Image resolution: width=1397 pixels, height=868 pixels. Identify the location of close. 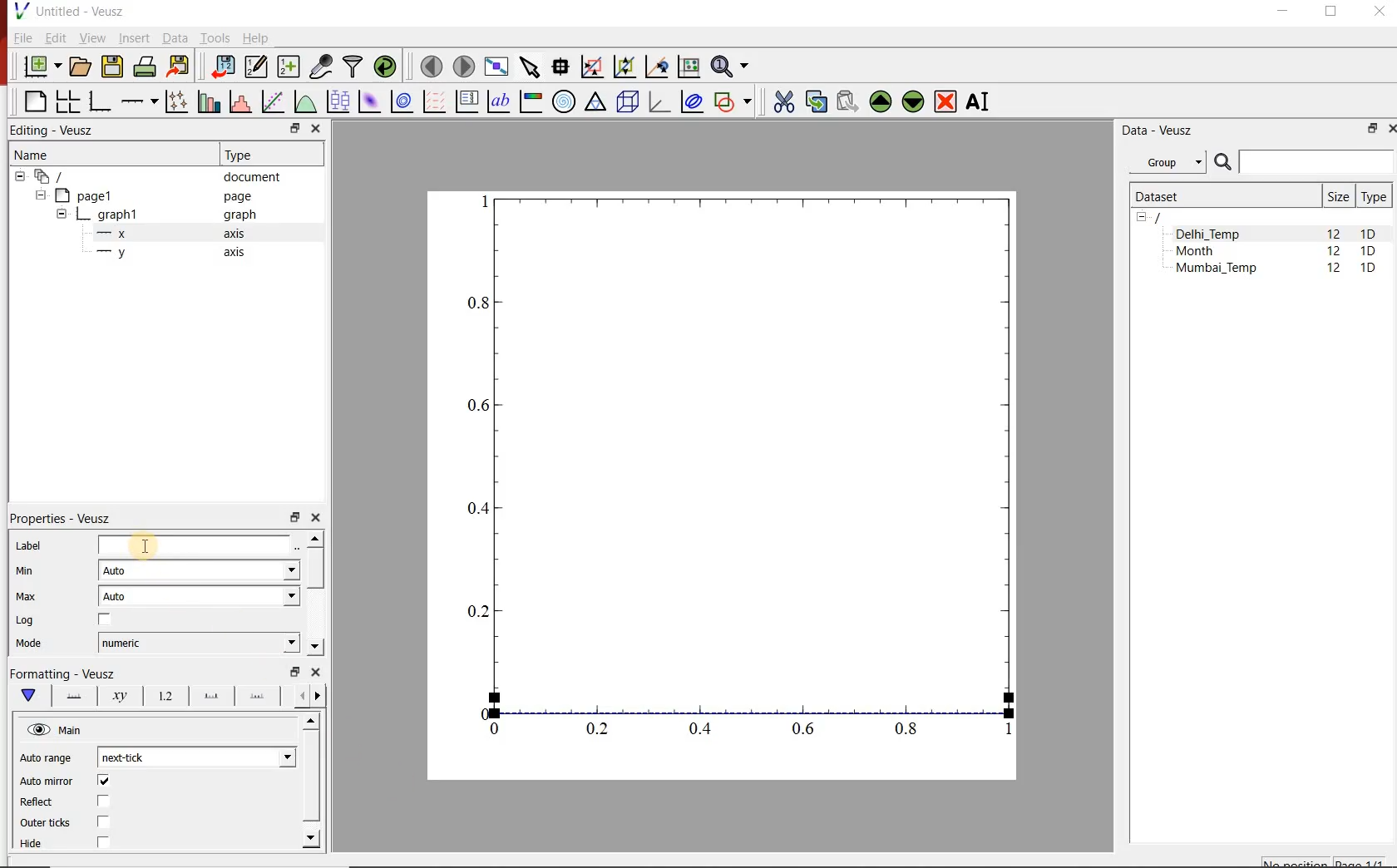
(315, 672).